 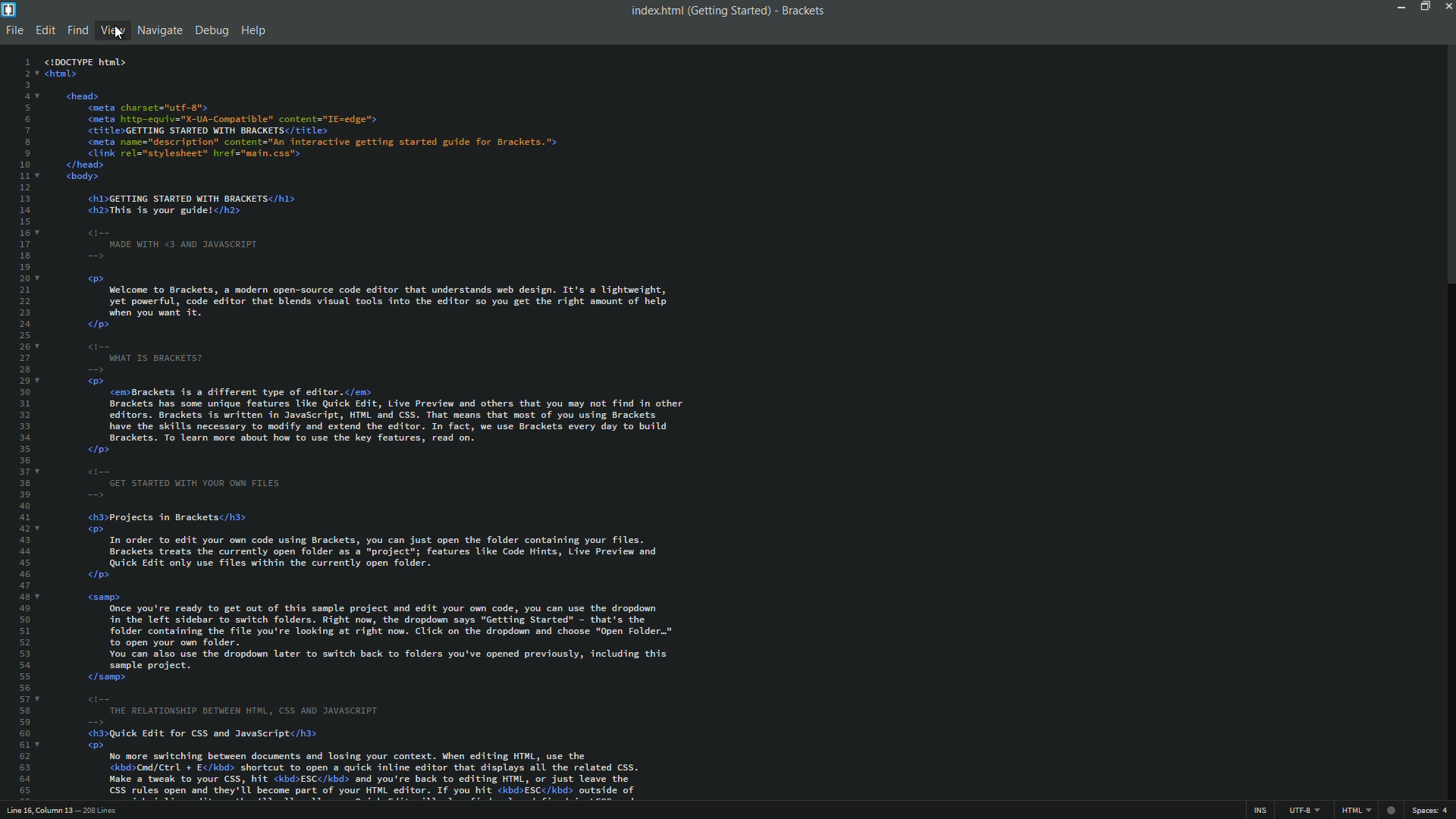 What do you see at coordinates (13, 30) in the screenshot?
I see `file menu` at bounding box center [13, 30].